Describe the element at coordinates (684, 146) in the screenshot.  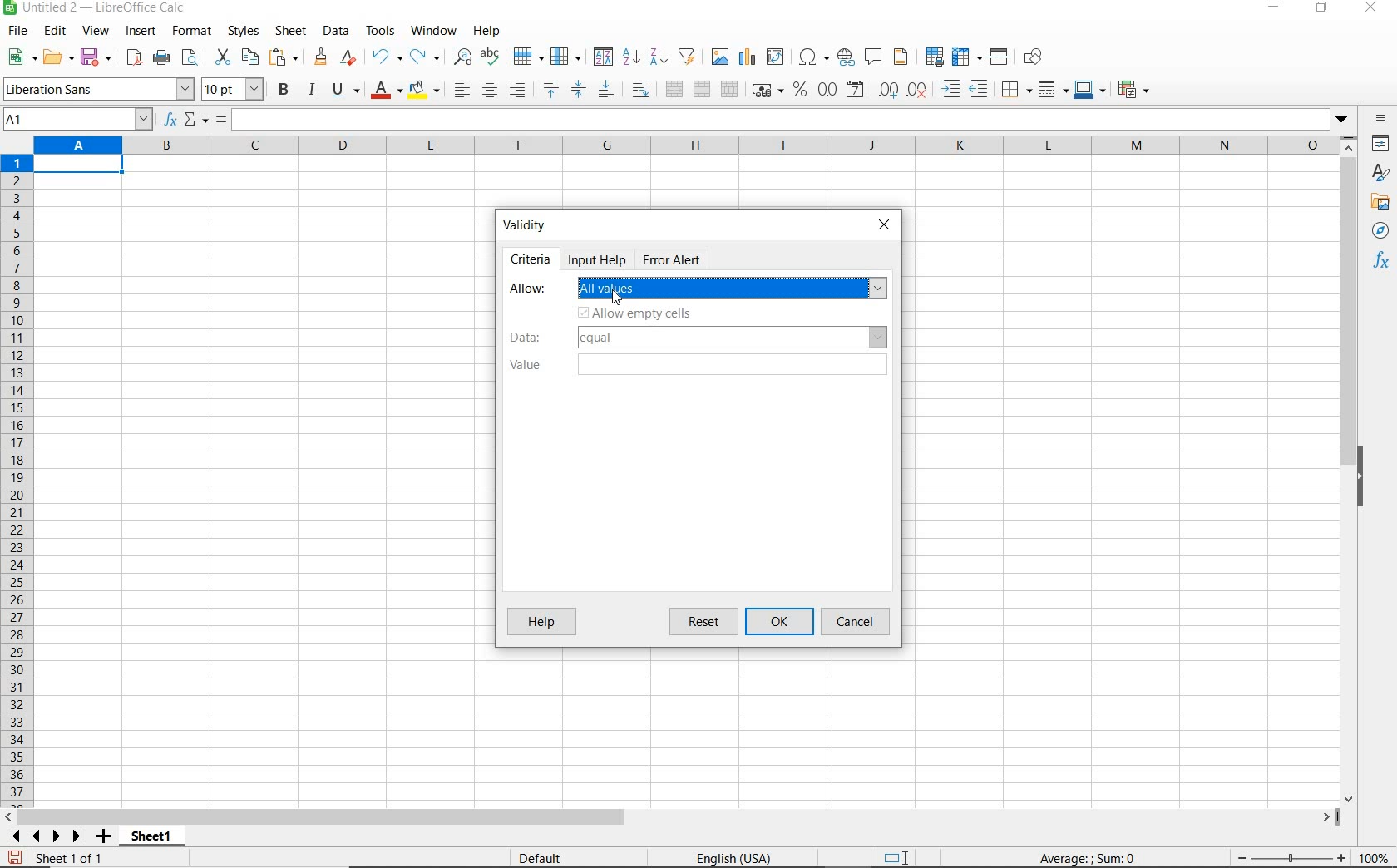
I see `columns` at that location.